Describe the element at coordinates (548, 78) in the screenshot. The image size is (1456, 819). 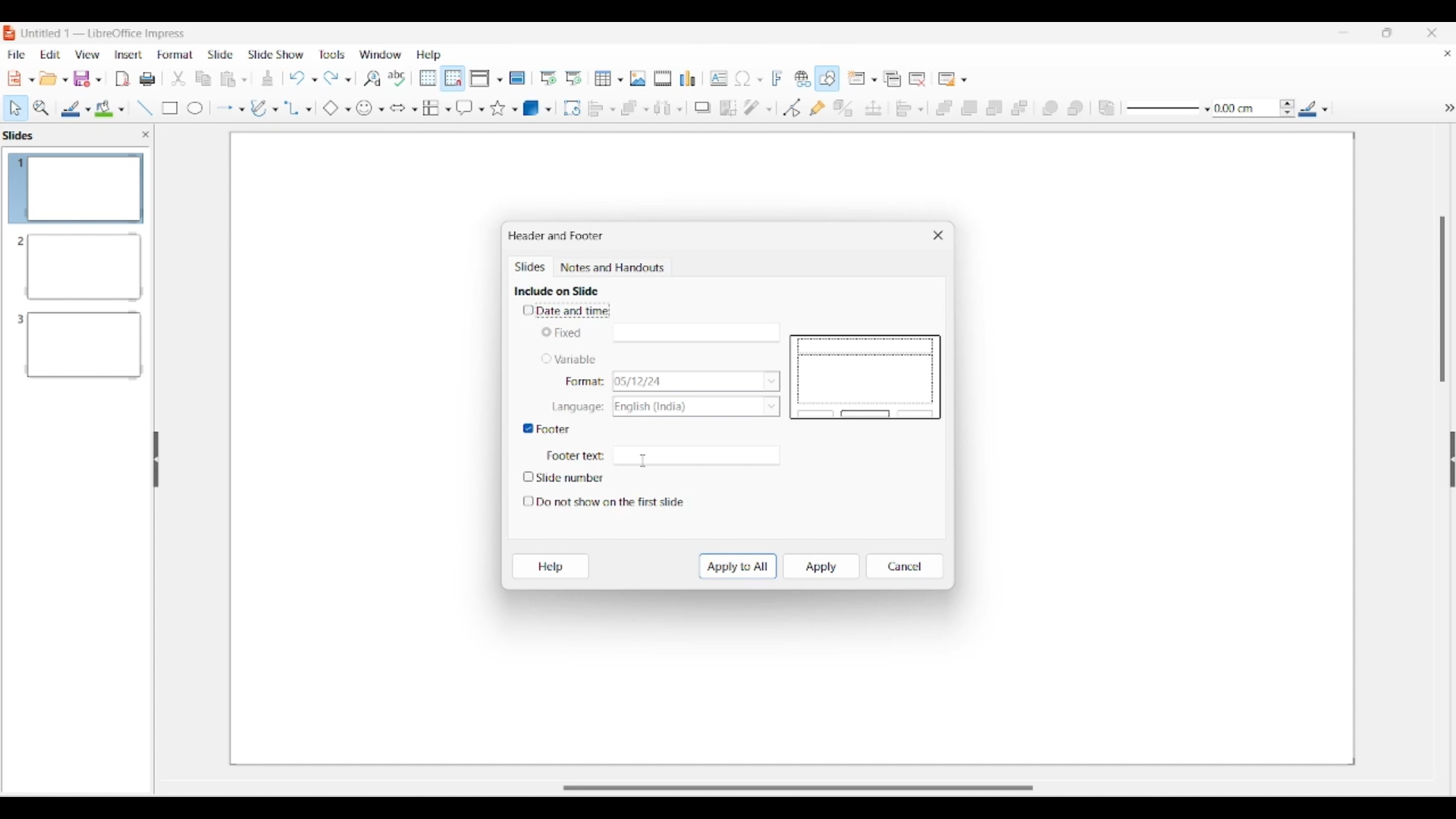
I see `Start from first slide` at that location.